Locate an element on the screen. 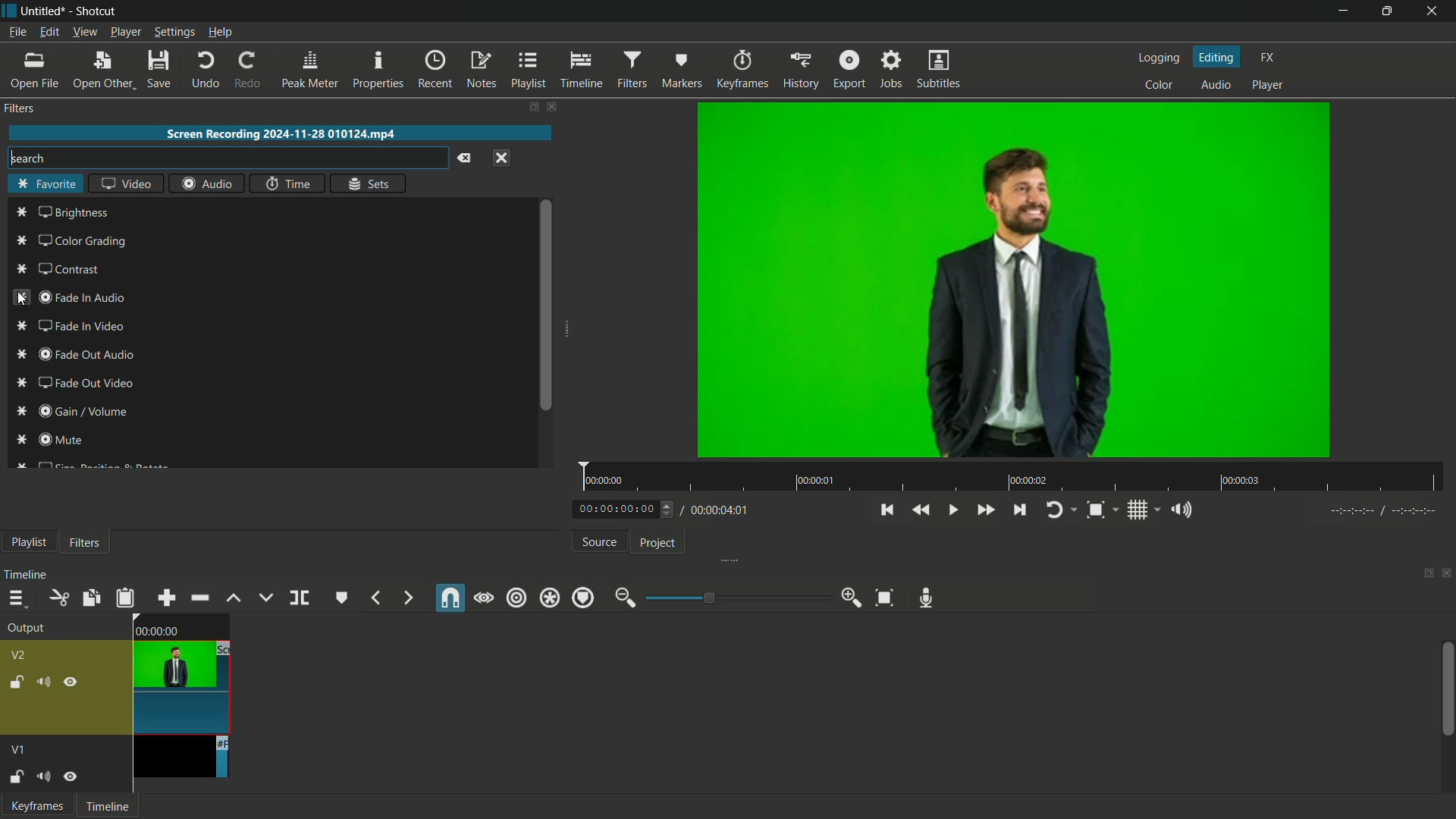 This screenshot has width=1456, height=819. ripple delete is located at coordinates (201, 599).